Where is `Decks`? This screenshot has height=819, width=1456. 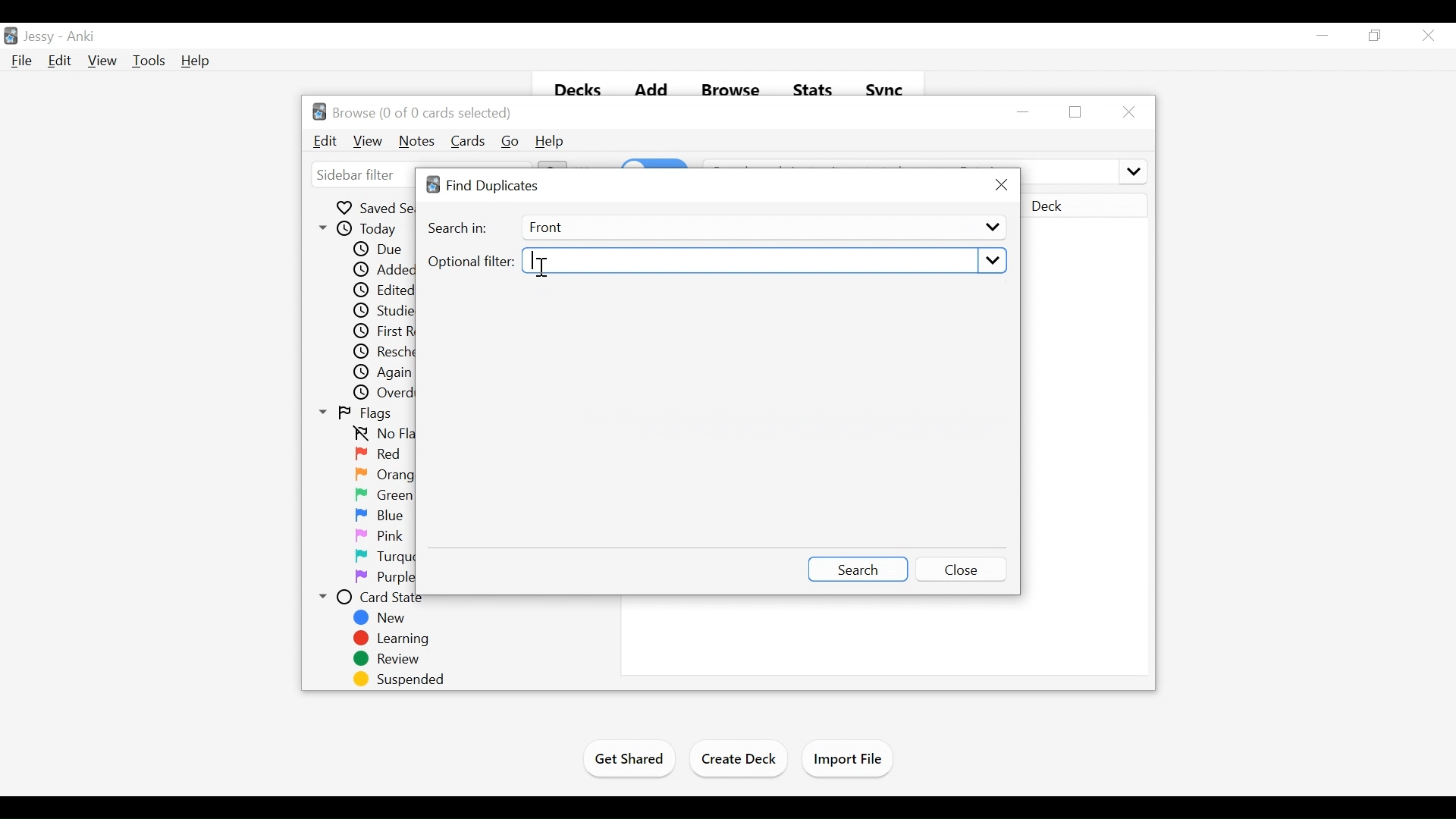
Decks is located at coordinates (573, 86).